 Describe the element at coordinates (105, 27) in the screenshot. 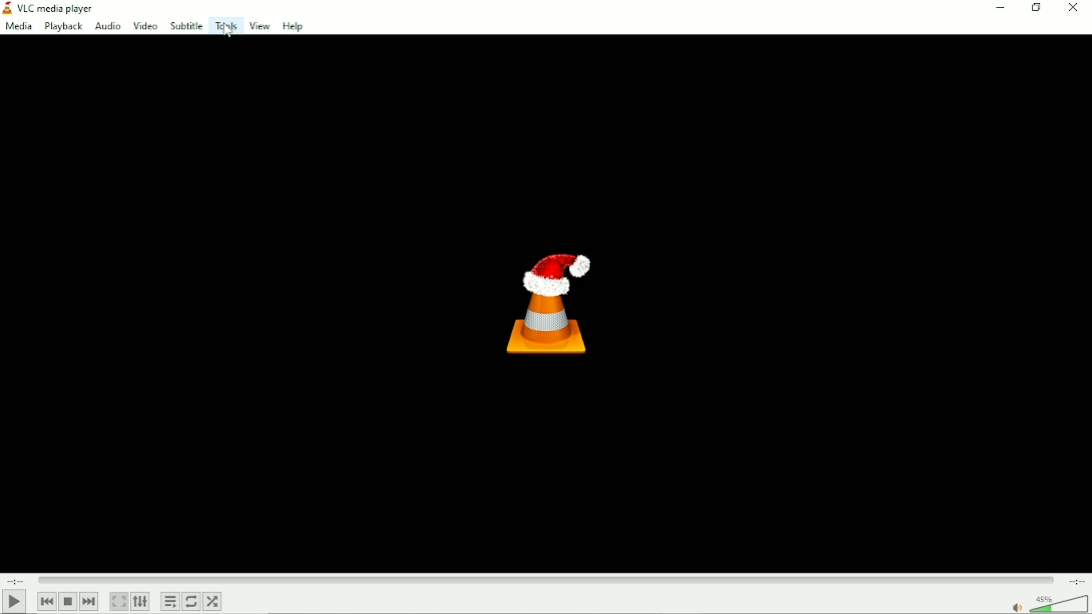

I see `Audio` at that location.